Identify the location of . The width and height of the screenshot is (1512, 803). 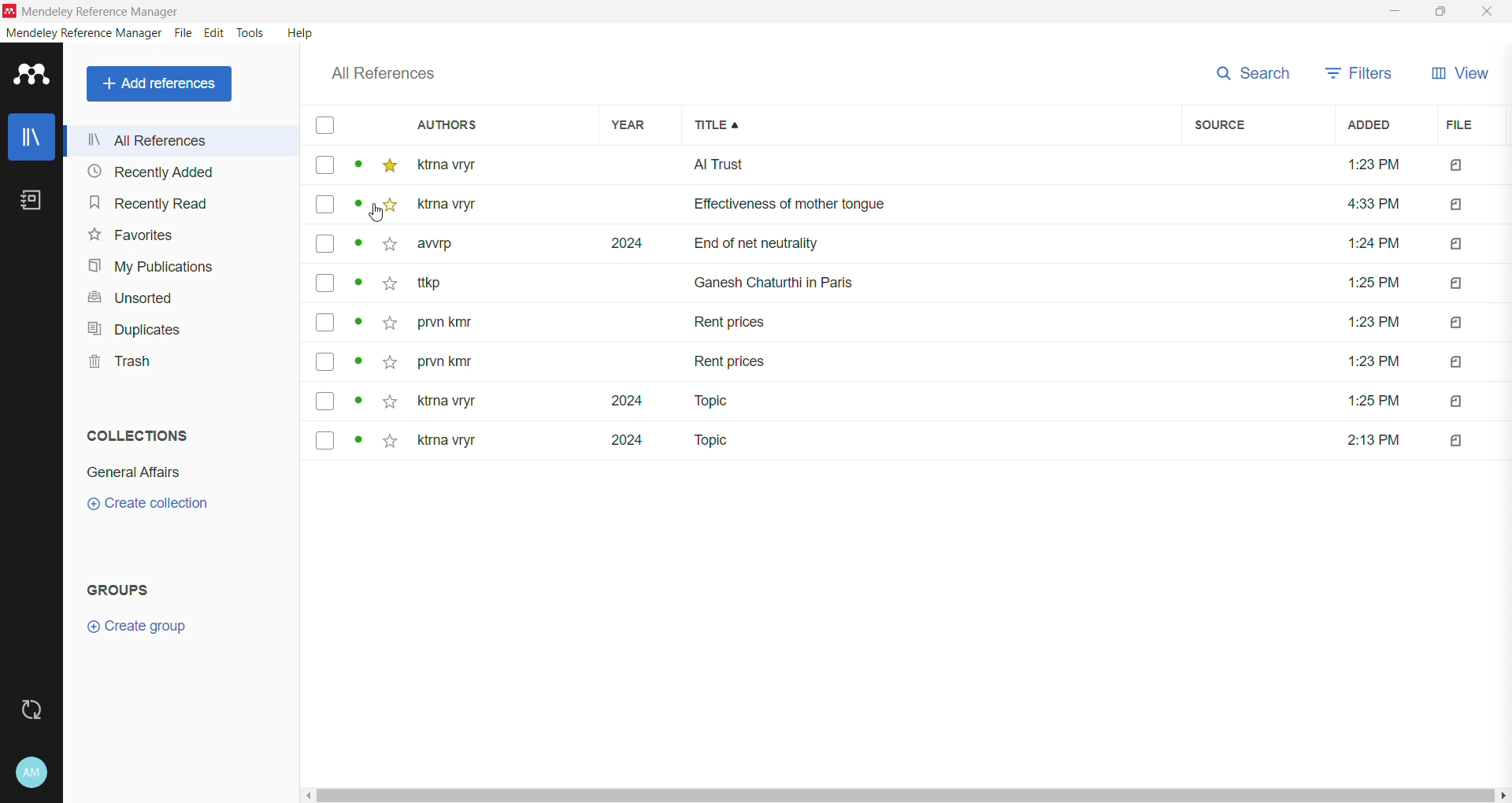
(1371, 402).